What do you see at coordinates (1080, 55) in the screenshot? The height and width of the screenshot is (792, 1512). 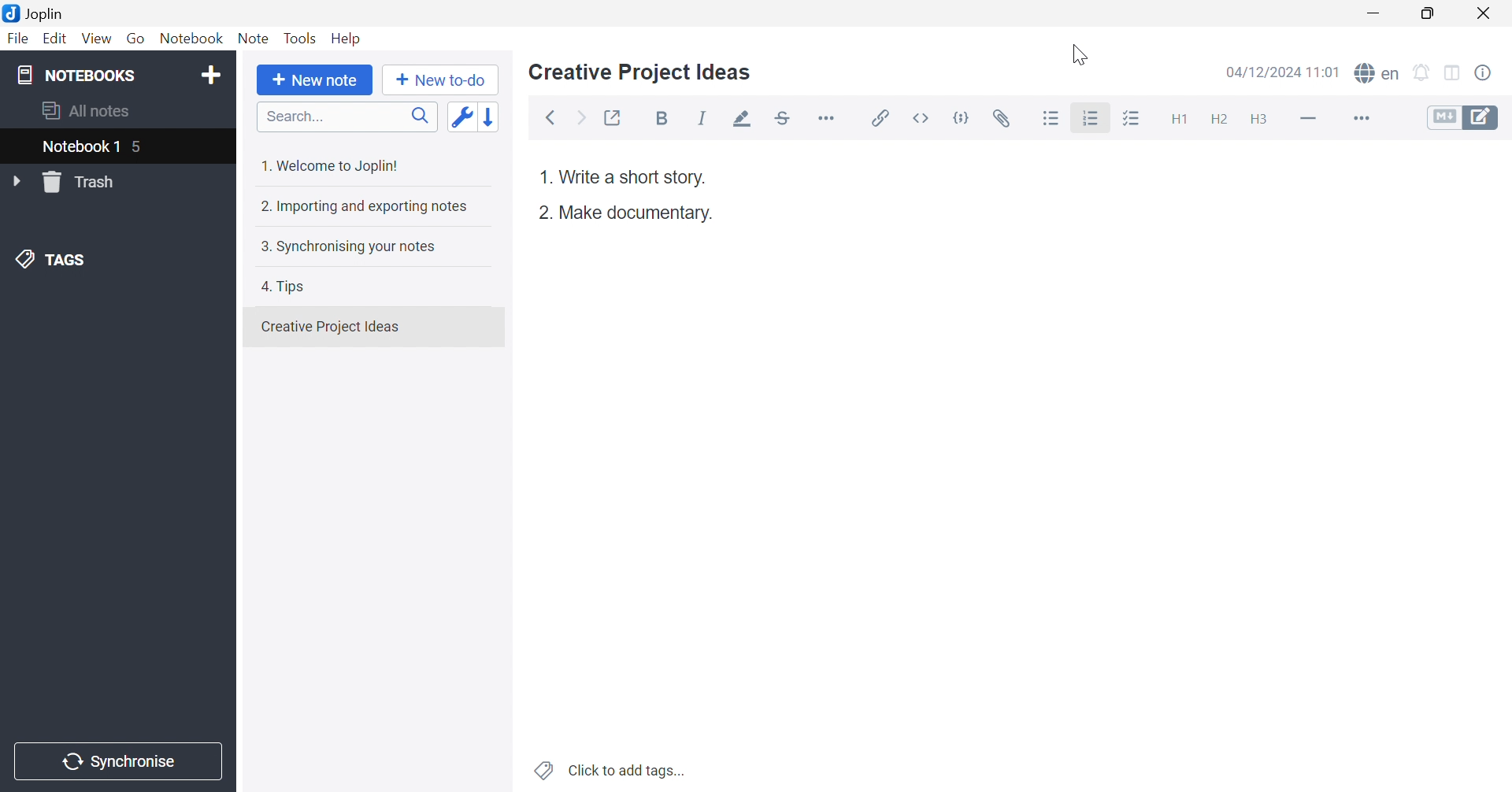 I see `Cursor` at bounding box center [1080, 55].